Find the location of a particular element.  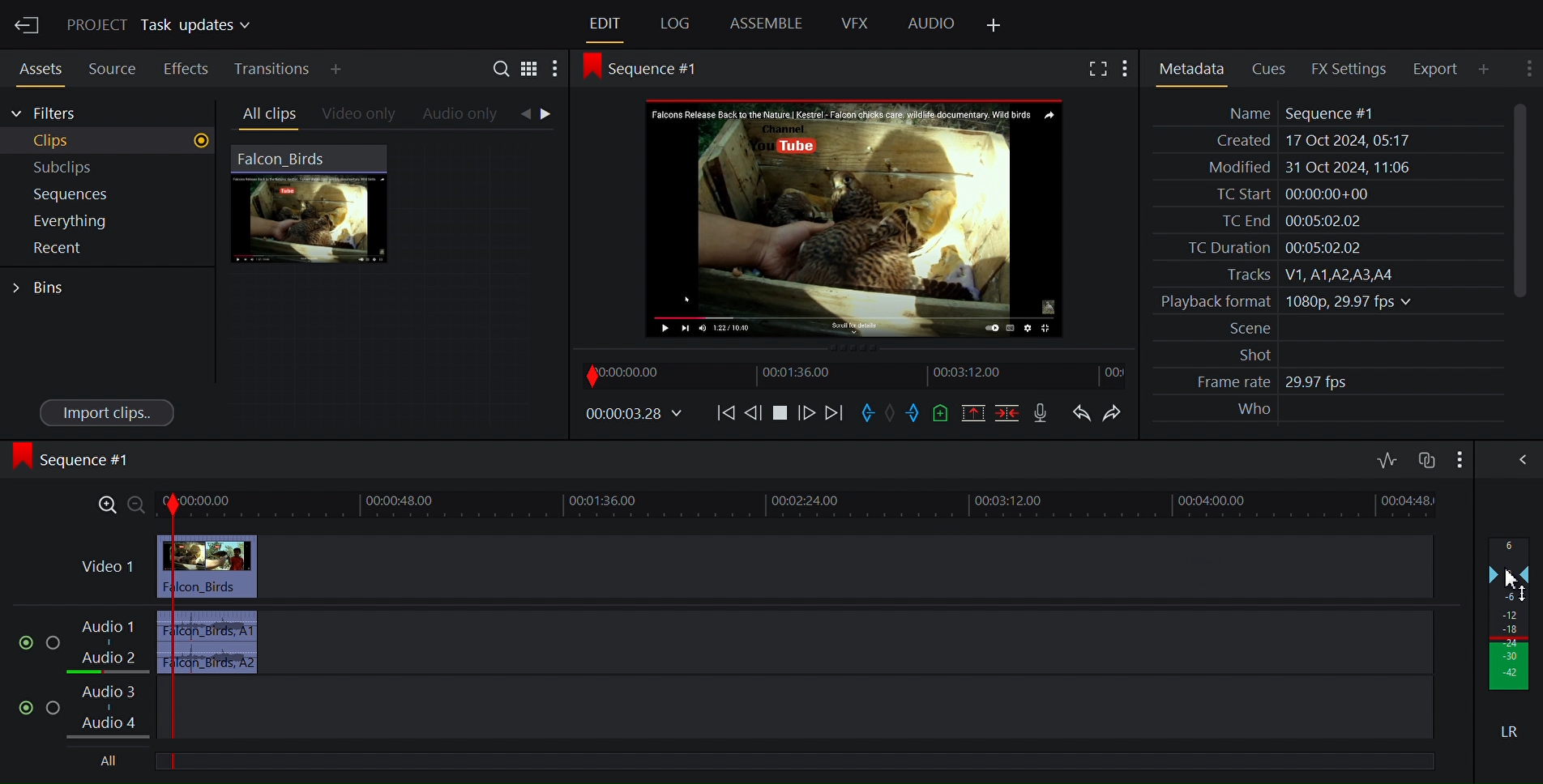

Play is located at coordinates (783, 413).